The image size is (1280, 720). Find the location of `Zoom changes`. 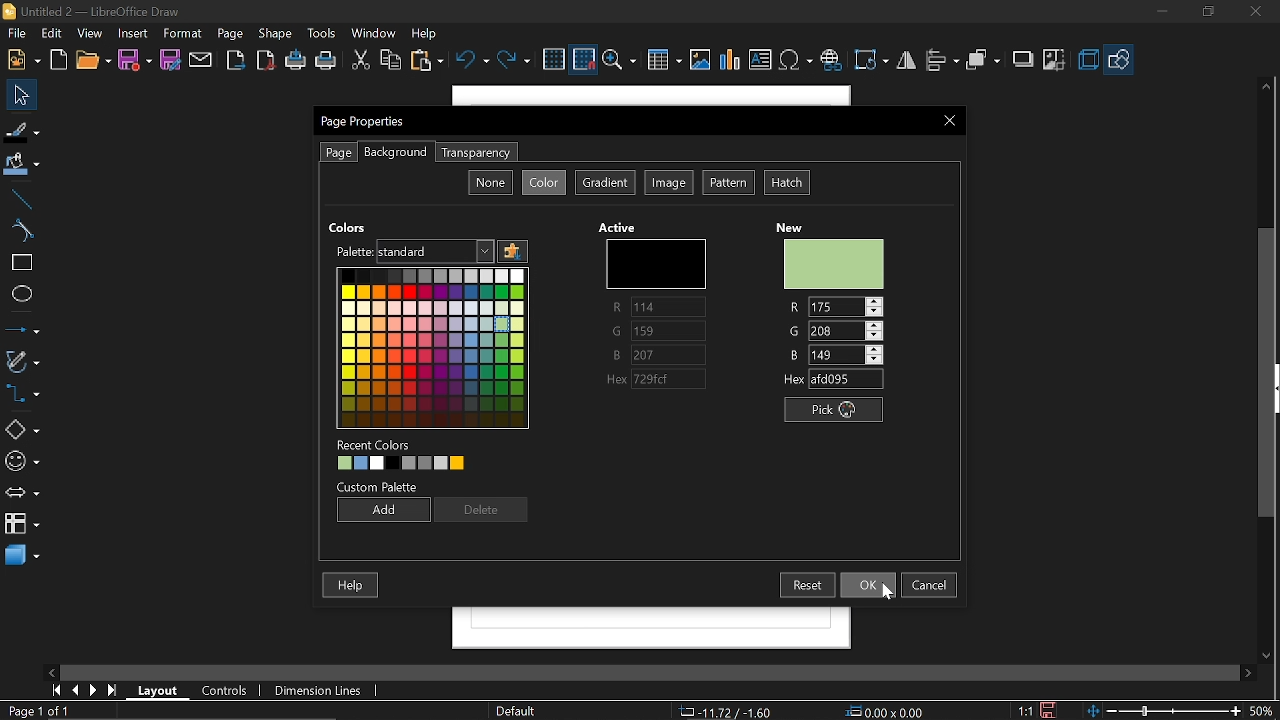

Zoom changes is located at coordinates (1165, 710).